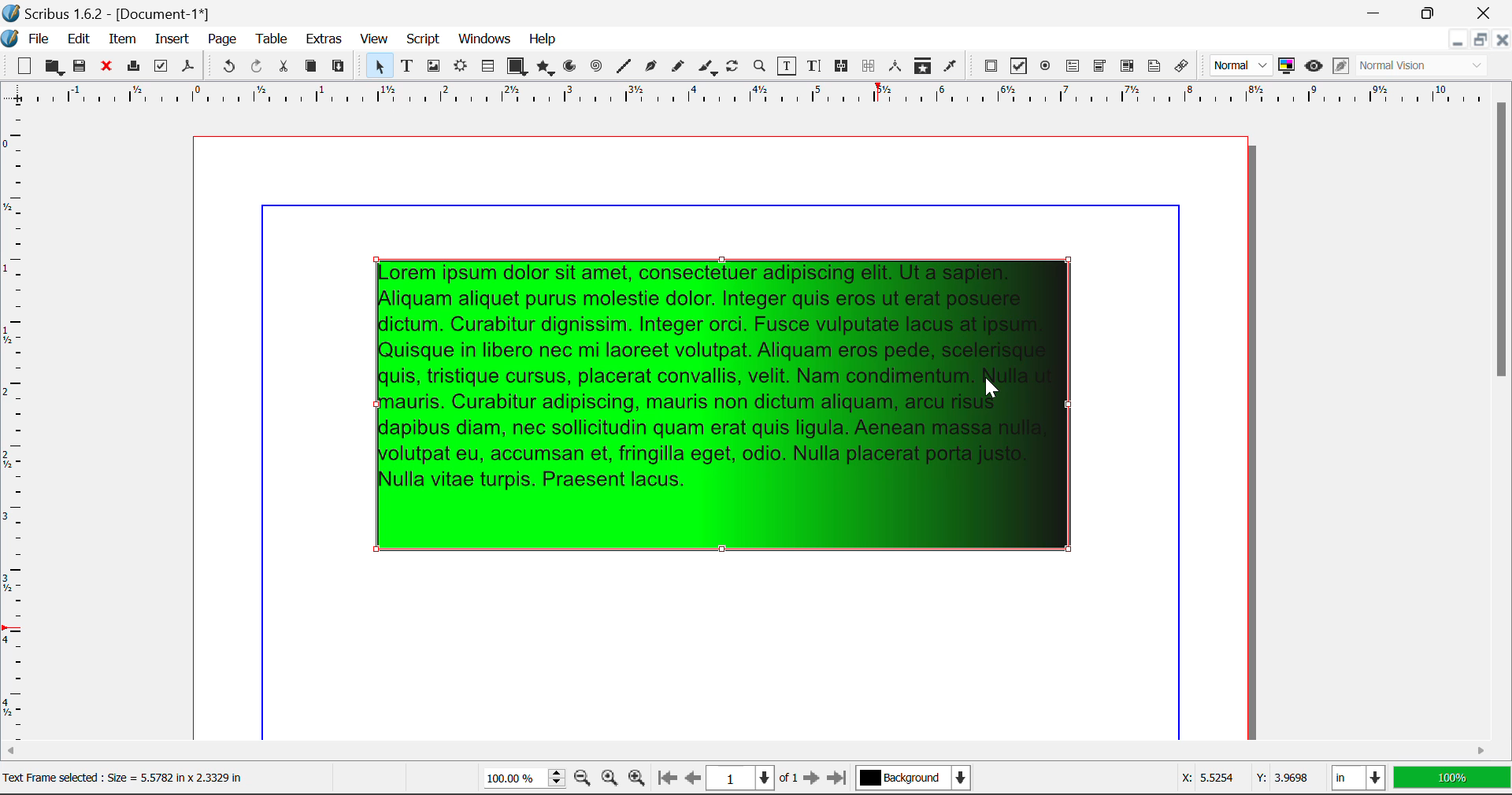 The image size is (1512, 795). Describe the element at coordinates (817, 66) in the screenshot. I see `Edit Text with Story Editor` at that location.